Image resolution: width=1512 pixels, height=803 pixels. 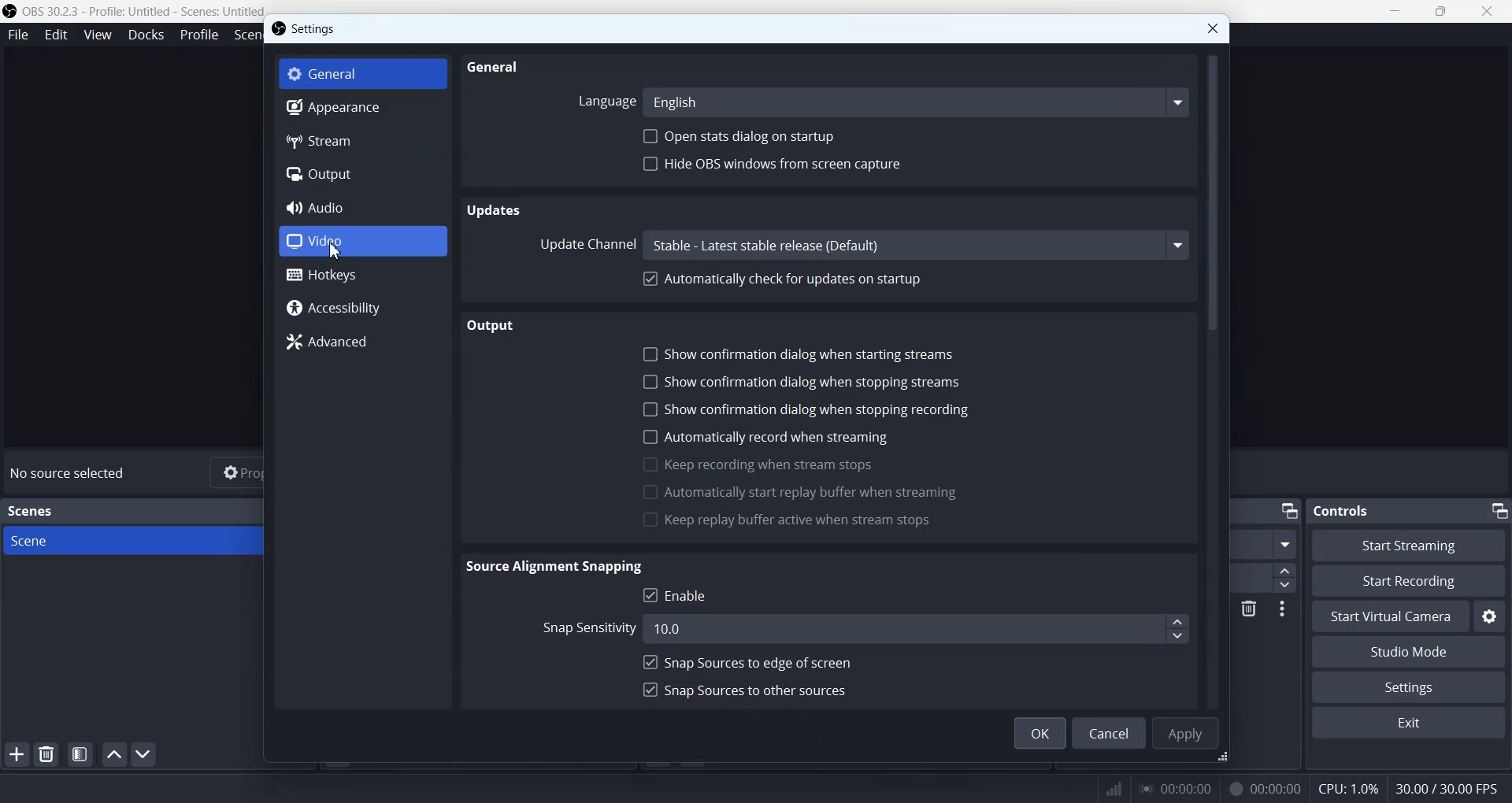 I want to click on General, so click(x=492, y=68).